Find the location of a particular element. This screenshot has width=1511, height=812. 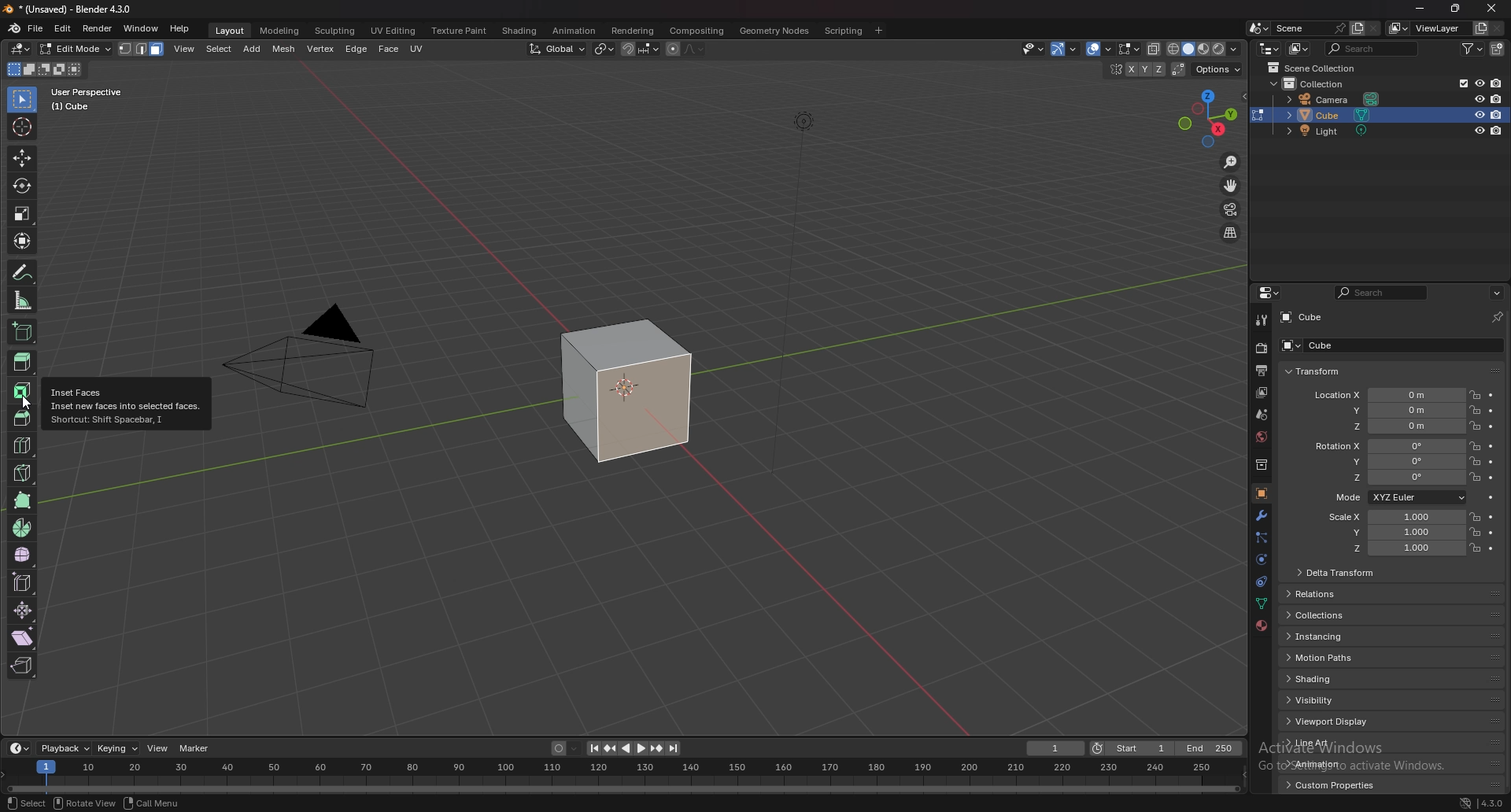

face is located at coordinates (389, 50).